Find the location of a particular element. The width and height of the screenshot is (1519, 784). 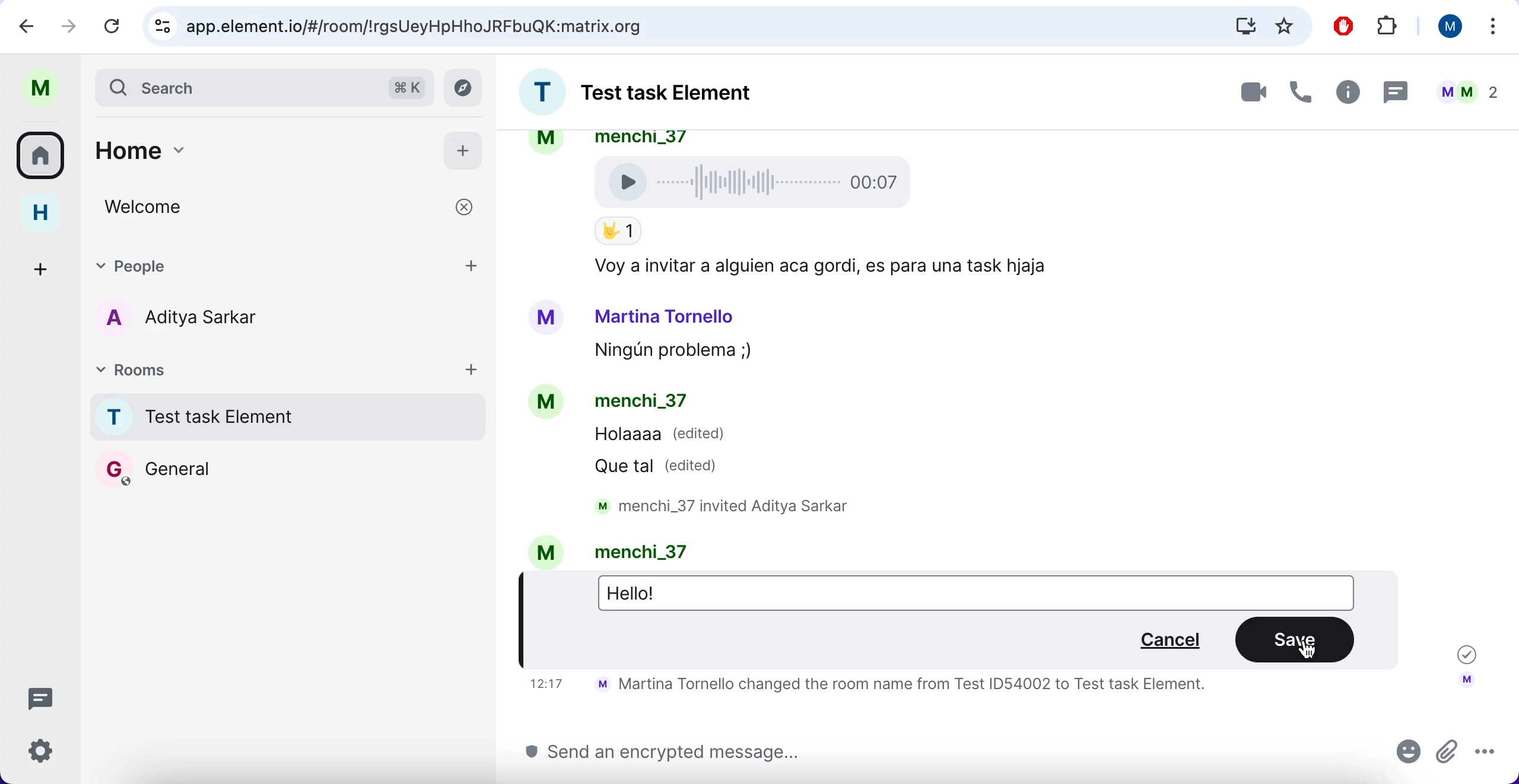

text is located at coordinates (896, 688).